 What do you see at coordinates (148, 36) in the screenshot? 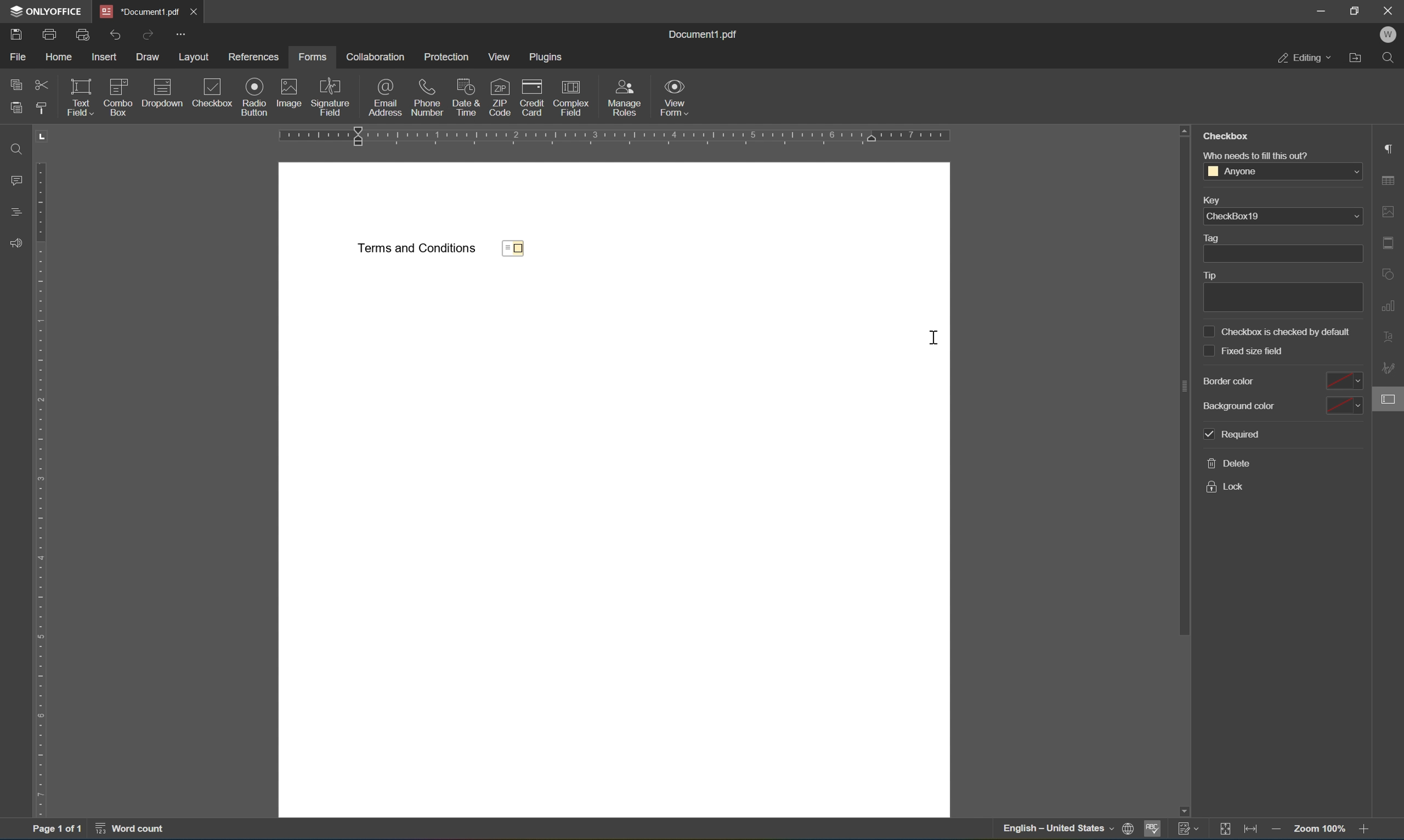
I see `redo` at bounding box center [148, 36].